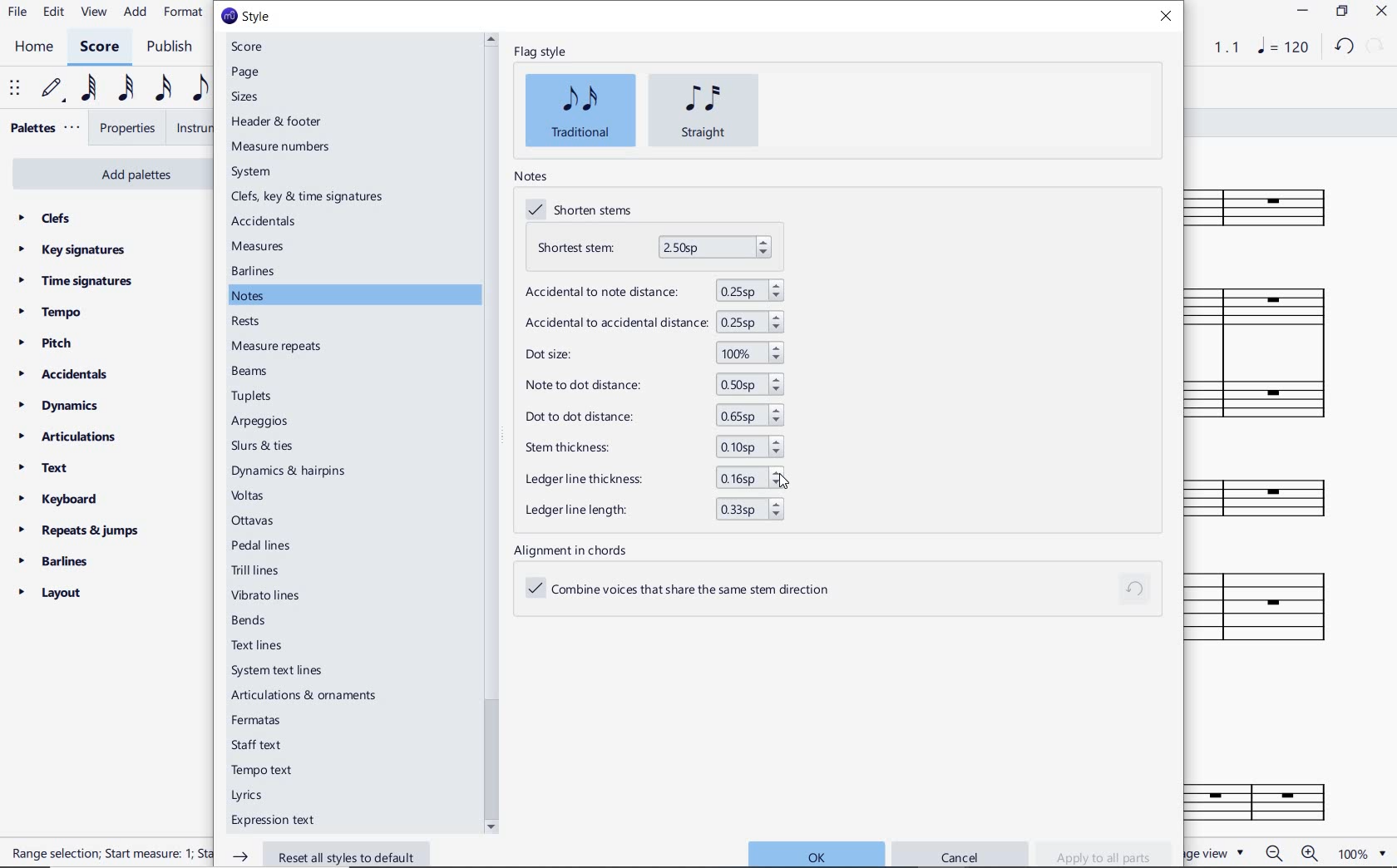  Describe the element at coordinates (72, 250) in the screenshot. I see `key signatures` at that location.